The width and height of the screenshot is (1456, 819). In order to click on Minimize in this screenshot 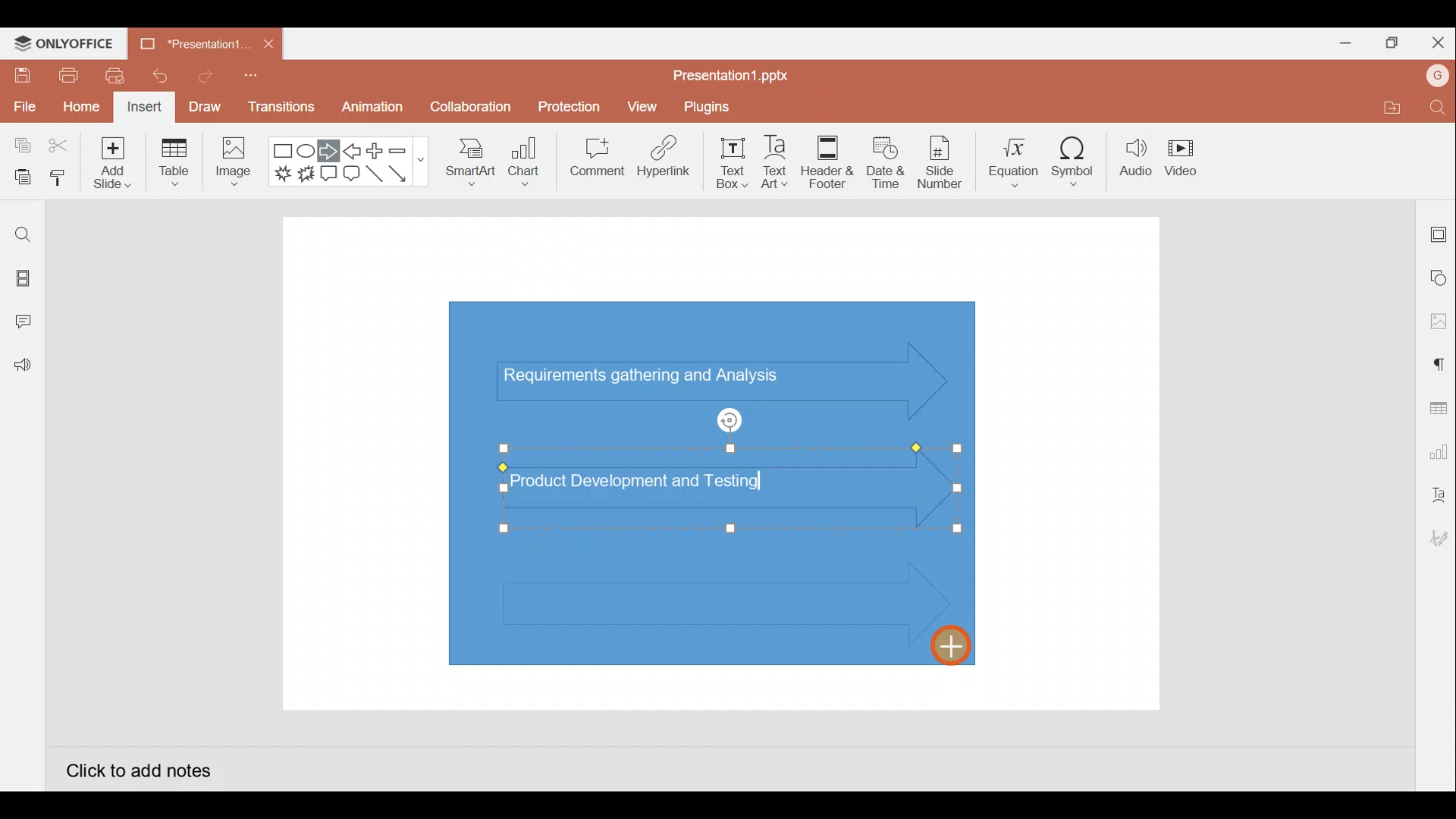, I will do `click(1339, 40)`.